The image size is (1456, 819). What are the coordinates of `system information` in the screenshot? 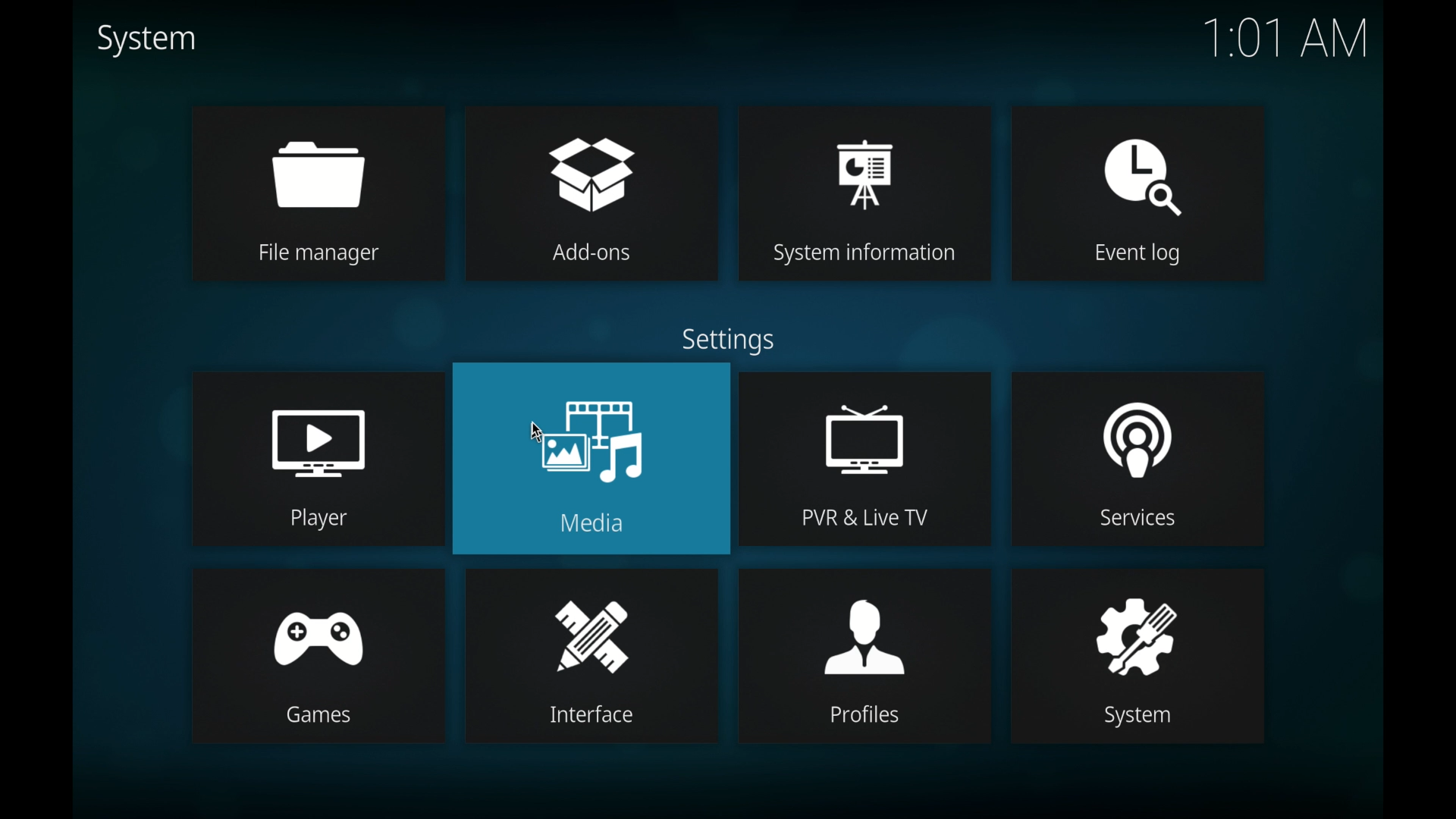 It's located at (864, 163).